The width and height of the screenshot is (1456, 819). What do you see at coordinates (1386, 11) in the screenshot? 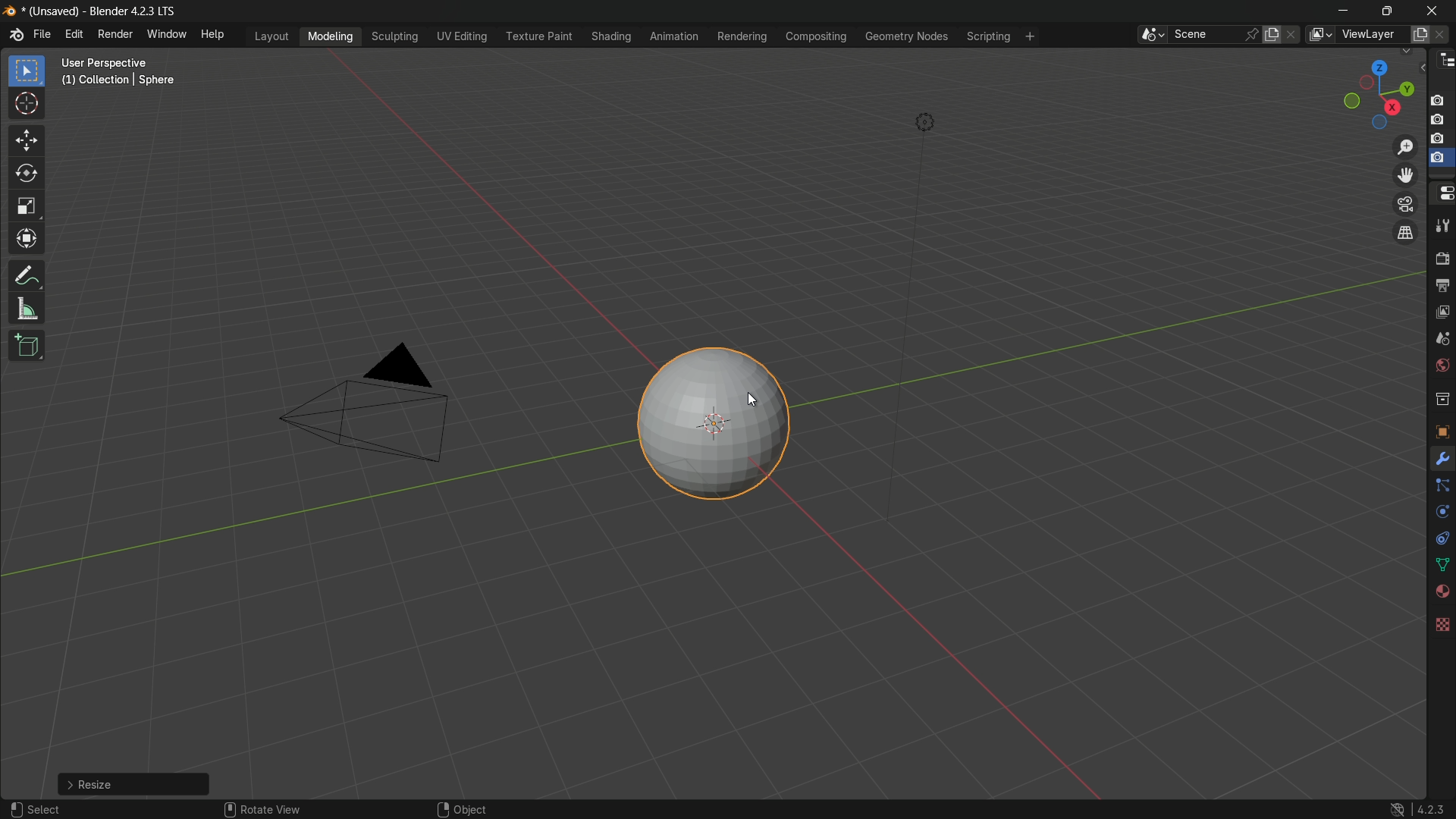
I see `maximize or restore` at bounding box center [1386, 11].